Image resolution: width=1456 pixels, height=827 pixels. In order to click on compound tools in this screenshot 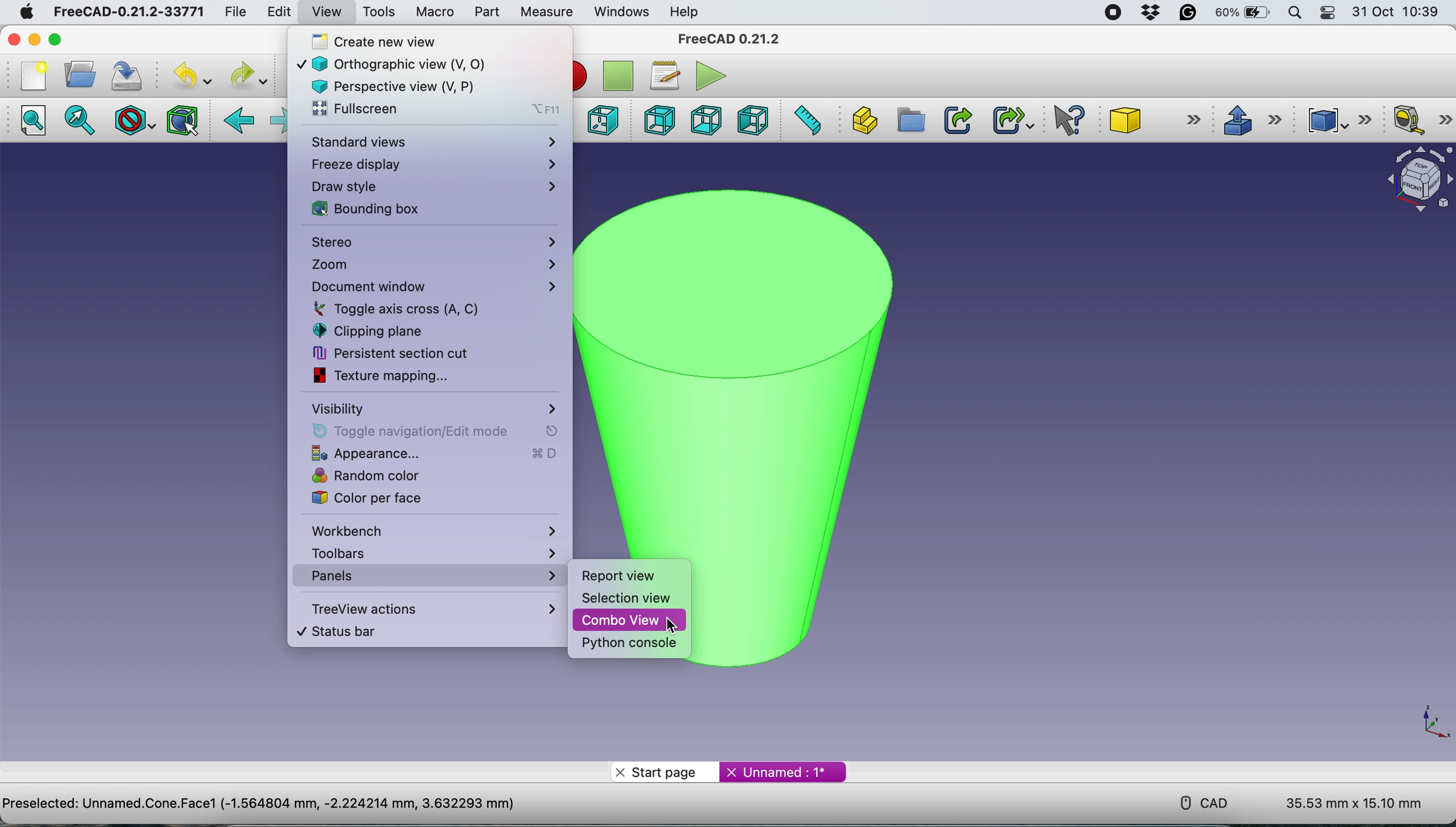, I will do `click(1336, 118)`.